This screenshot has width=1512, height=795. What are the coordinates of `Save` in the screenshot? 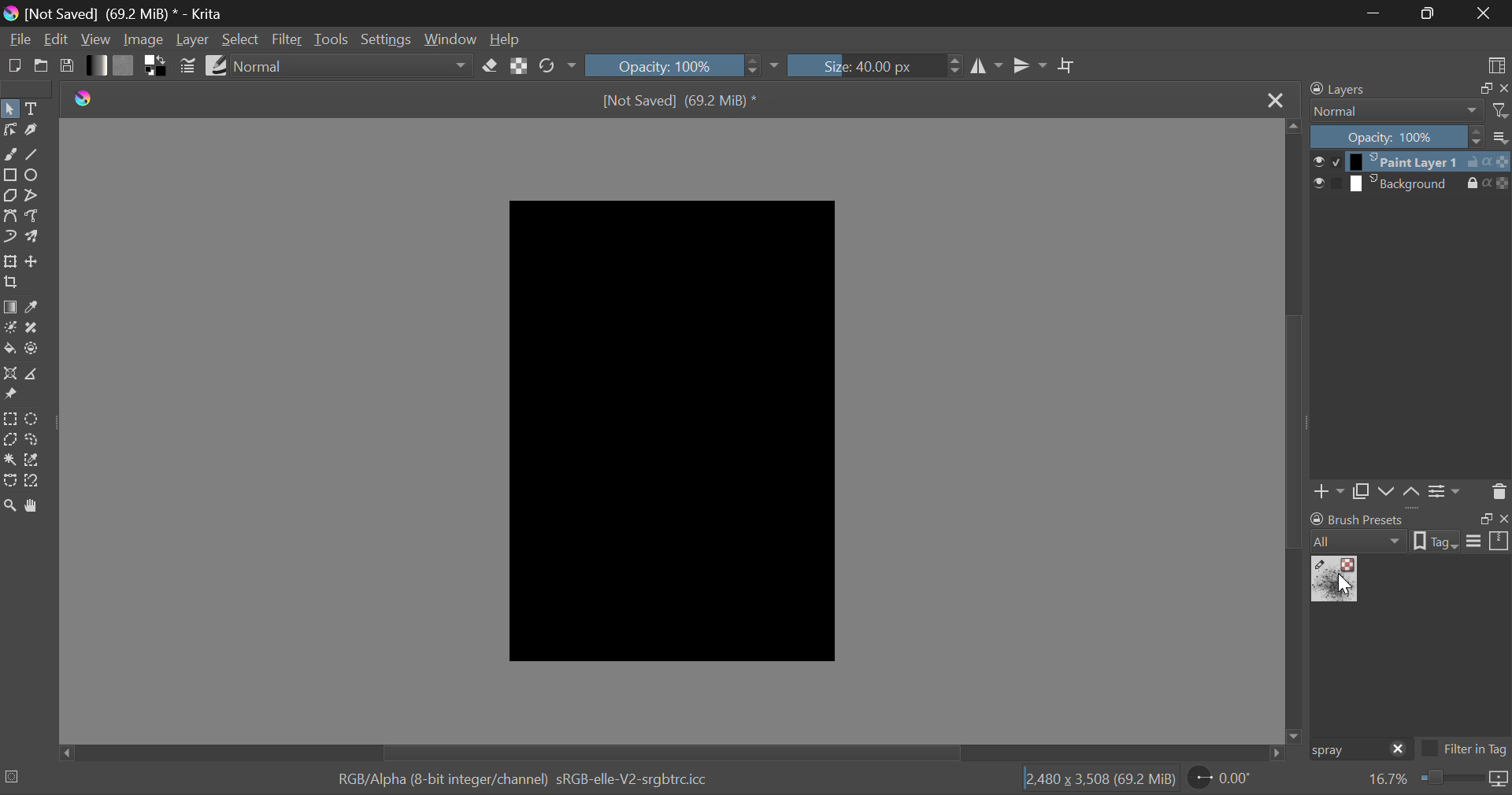 It's located at (65, 65).